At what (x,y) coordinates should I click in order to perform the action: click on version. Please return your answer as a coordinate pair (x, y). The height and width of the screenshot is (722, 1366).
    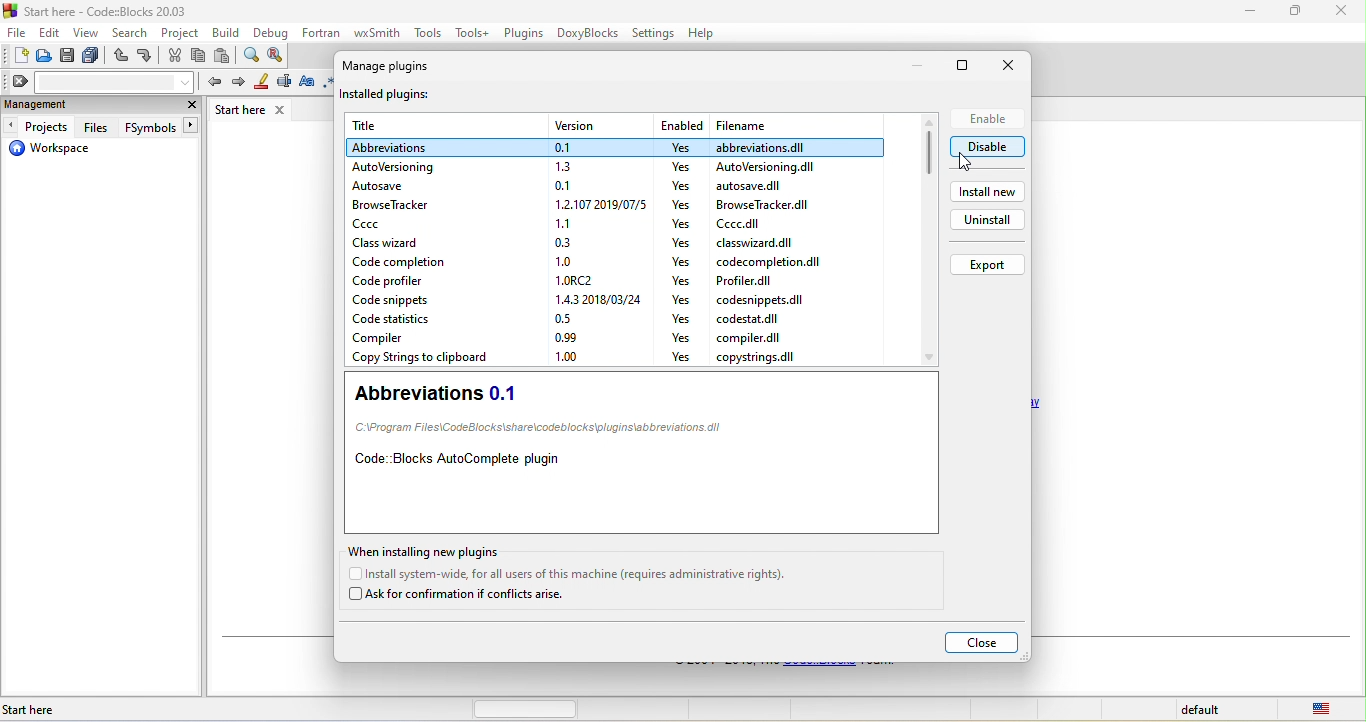
    Looking at the image, I should click on (566, 262).